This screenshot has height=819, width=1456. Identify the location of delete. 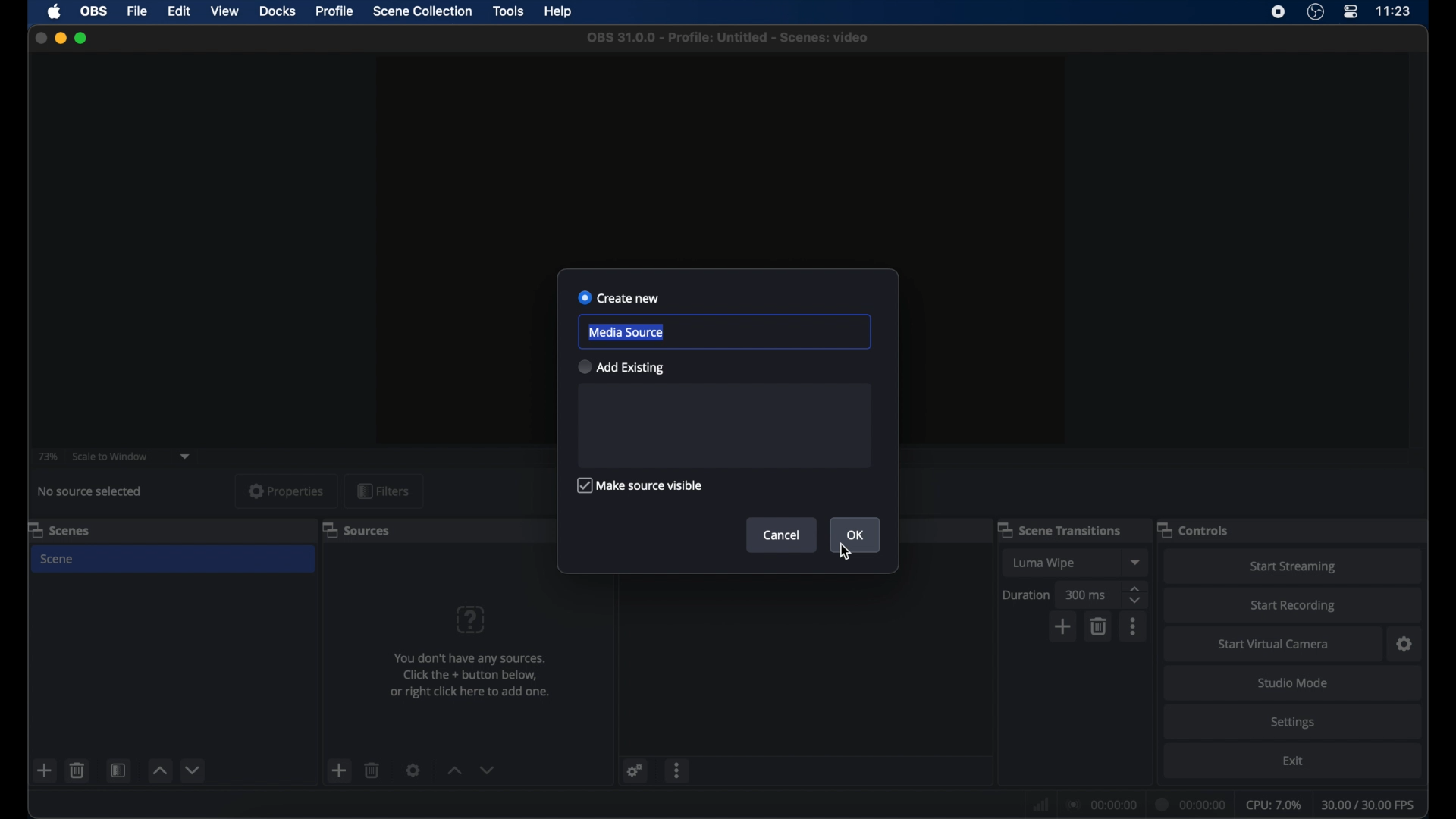
(77, 770).